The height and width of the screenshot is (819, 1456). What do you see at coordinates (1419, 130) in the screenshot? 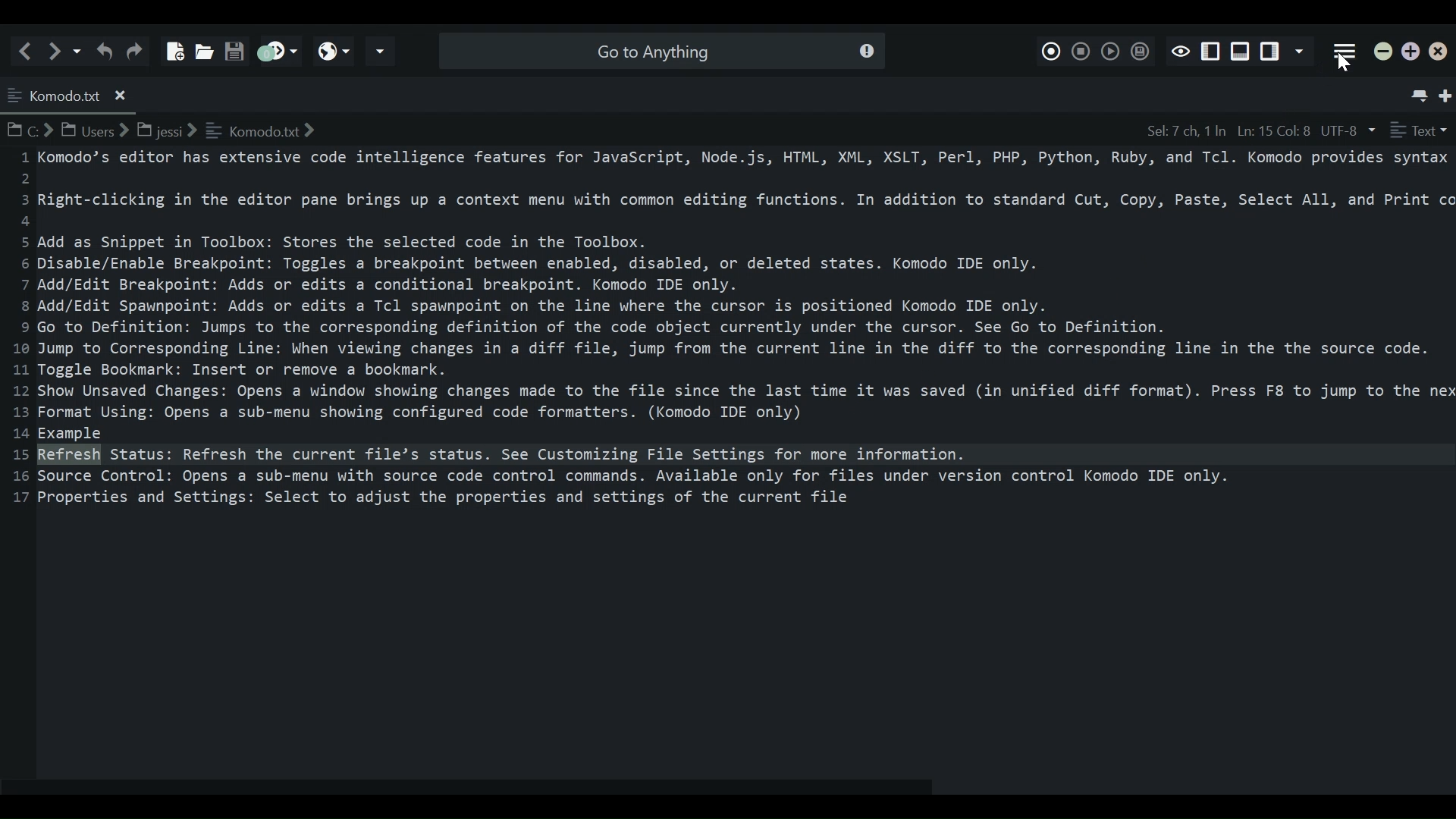
I see `File Type` at bounding box center [1419, 130].